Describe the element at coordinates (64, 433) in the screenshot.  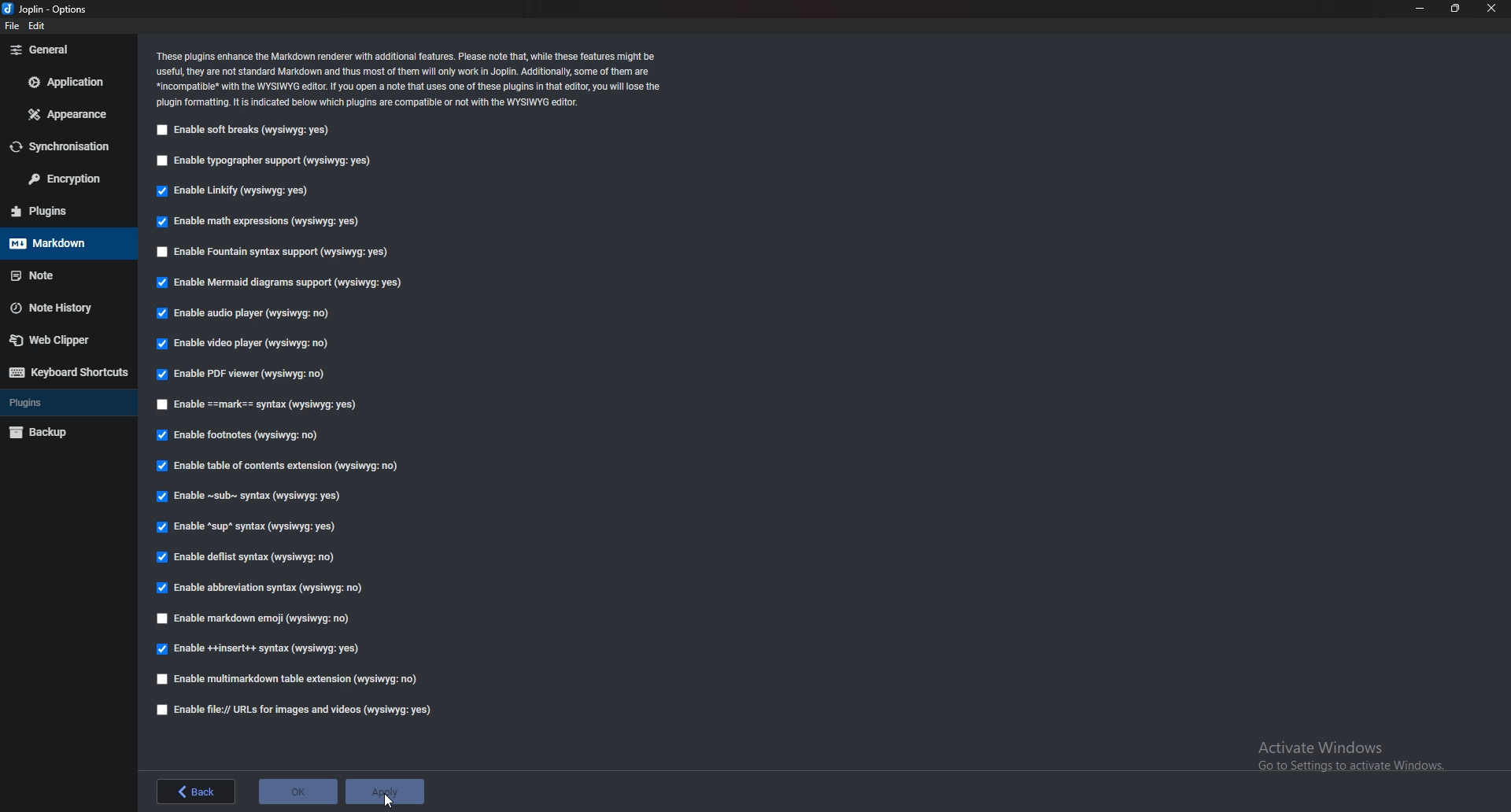
I see `backup` at that location.